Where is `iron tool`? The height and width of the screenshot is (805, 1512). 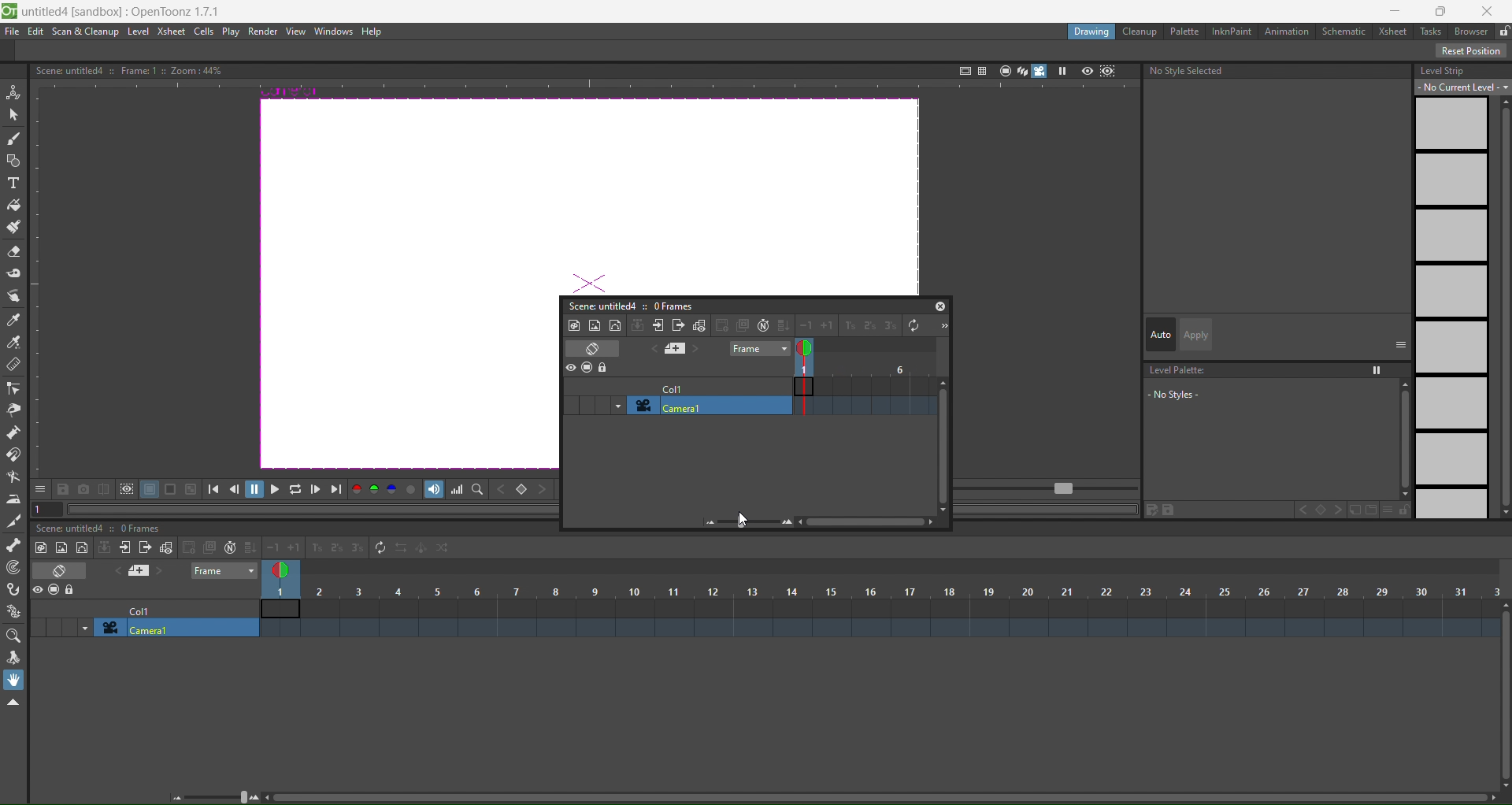 iron tool is located at coordinates (13, 499).